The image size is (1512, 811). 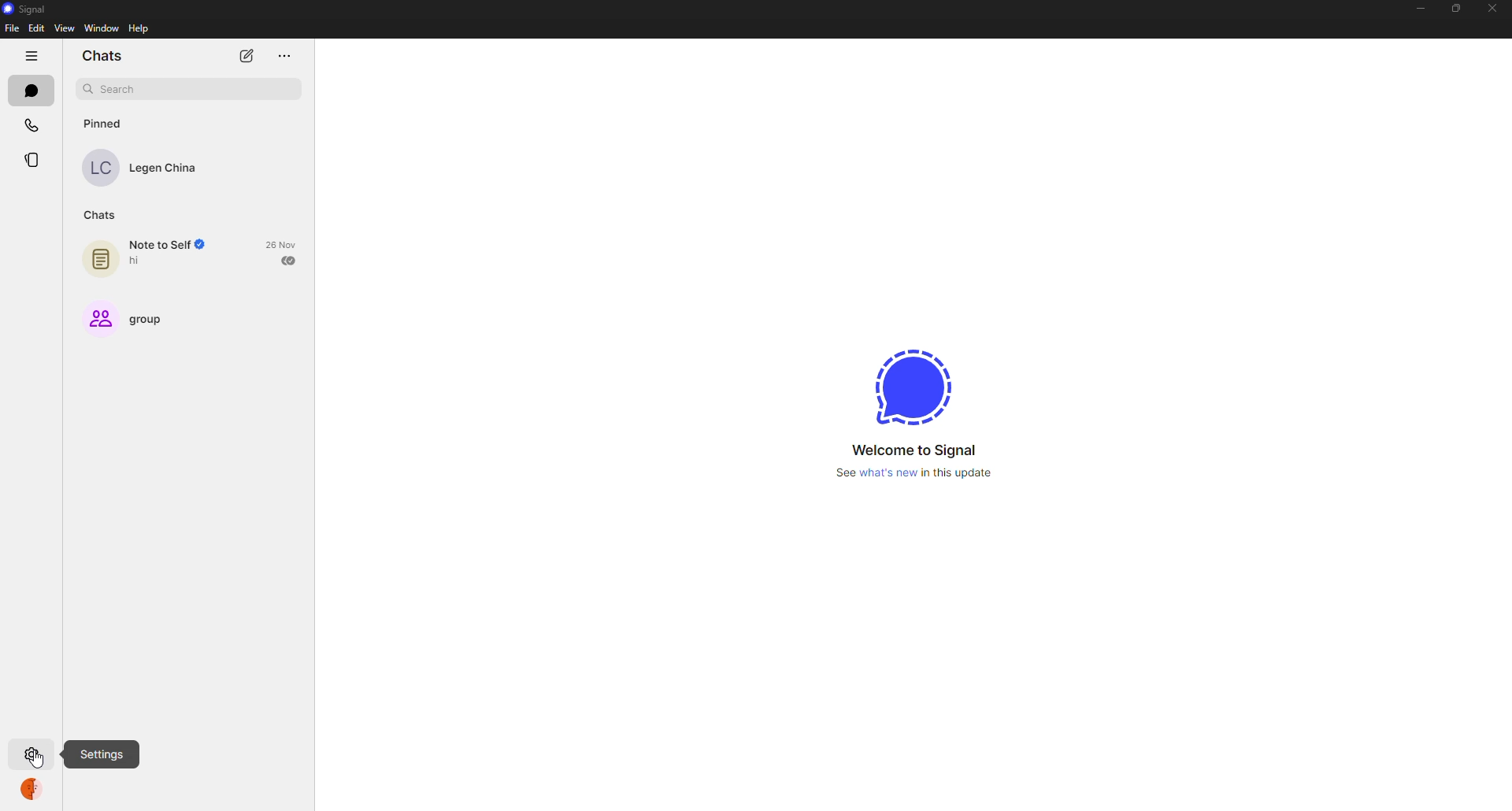 I want to click on group, so click(x=131, y=321).